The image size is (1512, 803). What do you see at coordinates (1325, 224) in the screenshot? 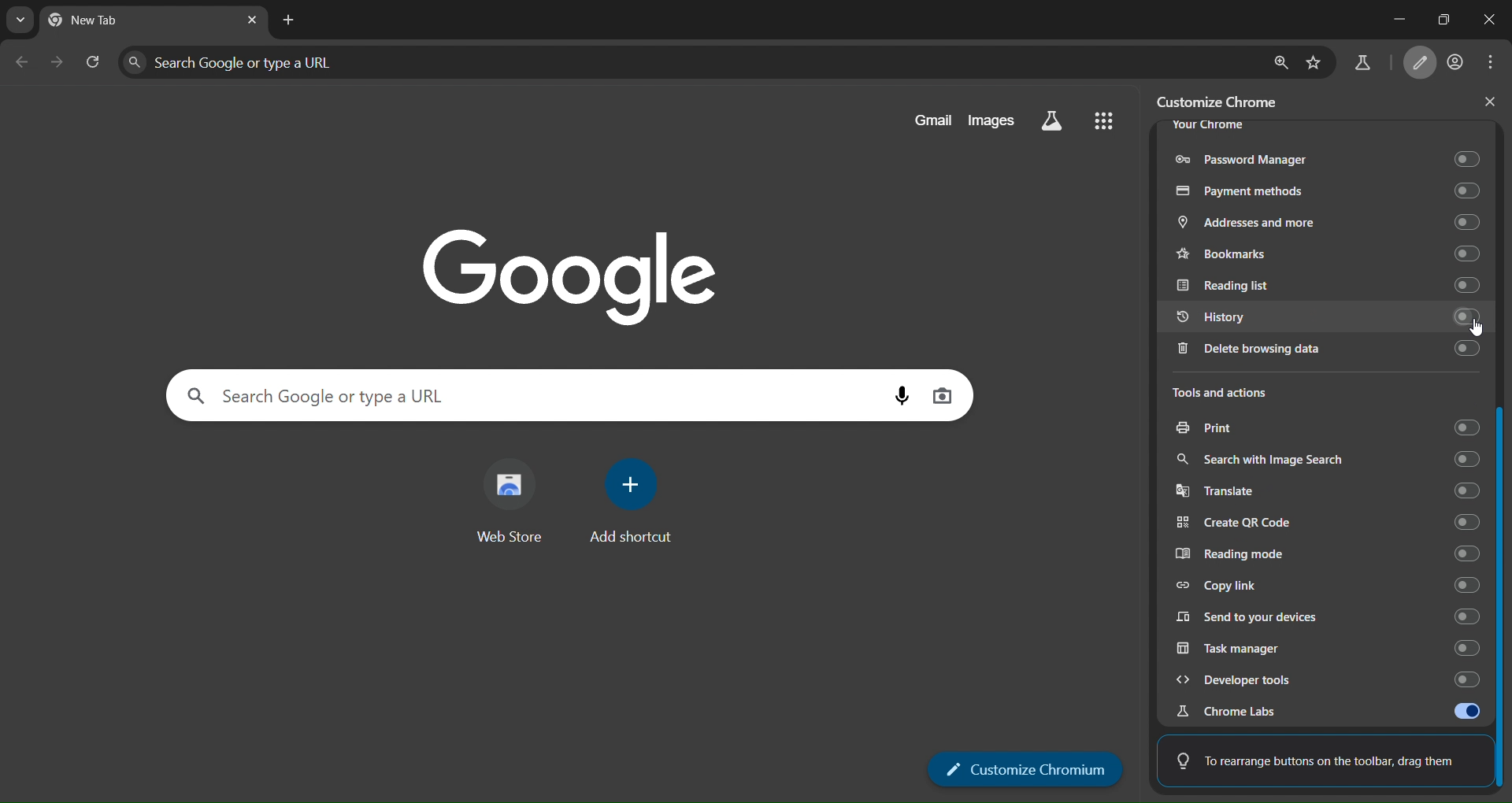
I see `addresses and more` at bounding box center [1325, 224].